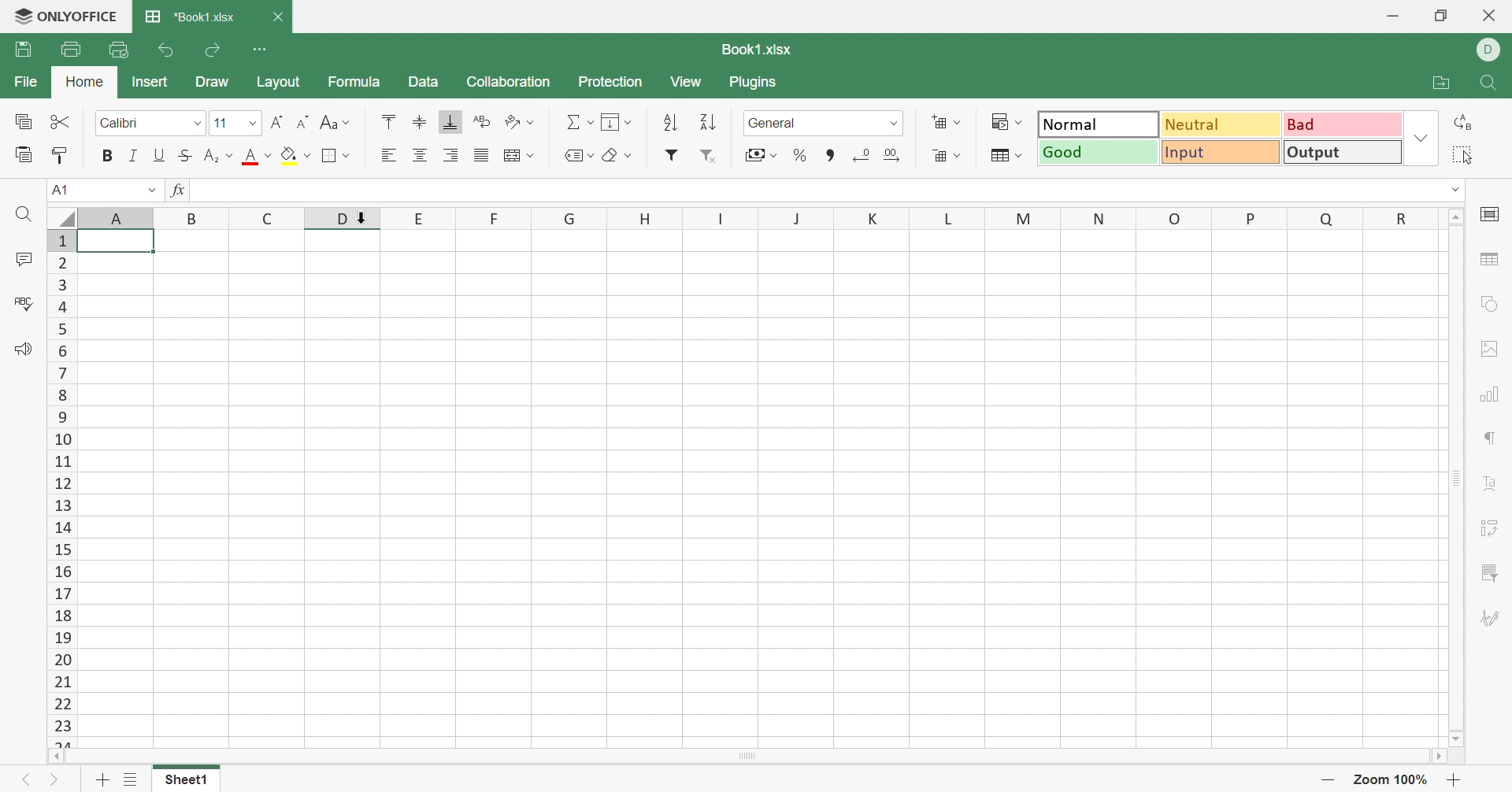 This screenshot has height=792, width=1512. I want to click on Protection, so click(613, 81).